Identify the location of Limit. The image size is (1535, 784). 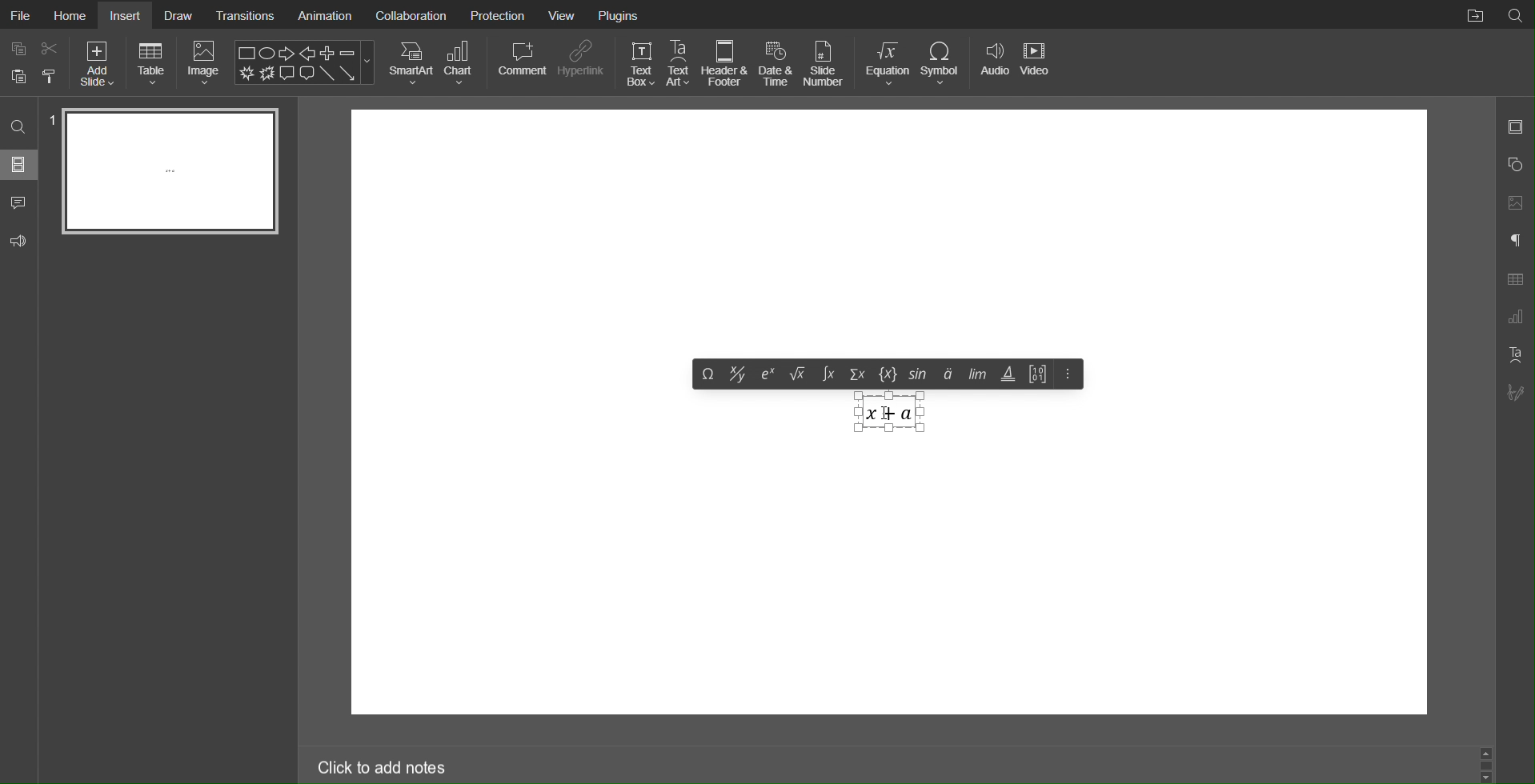
(975, 377).